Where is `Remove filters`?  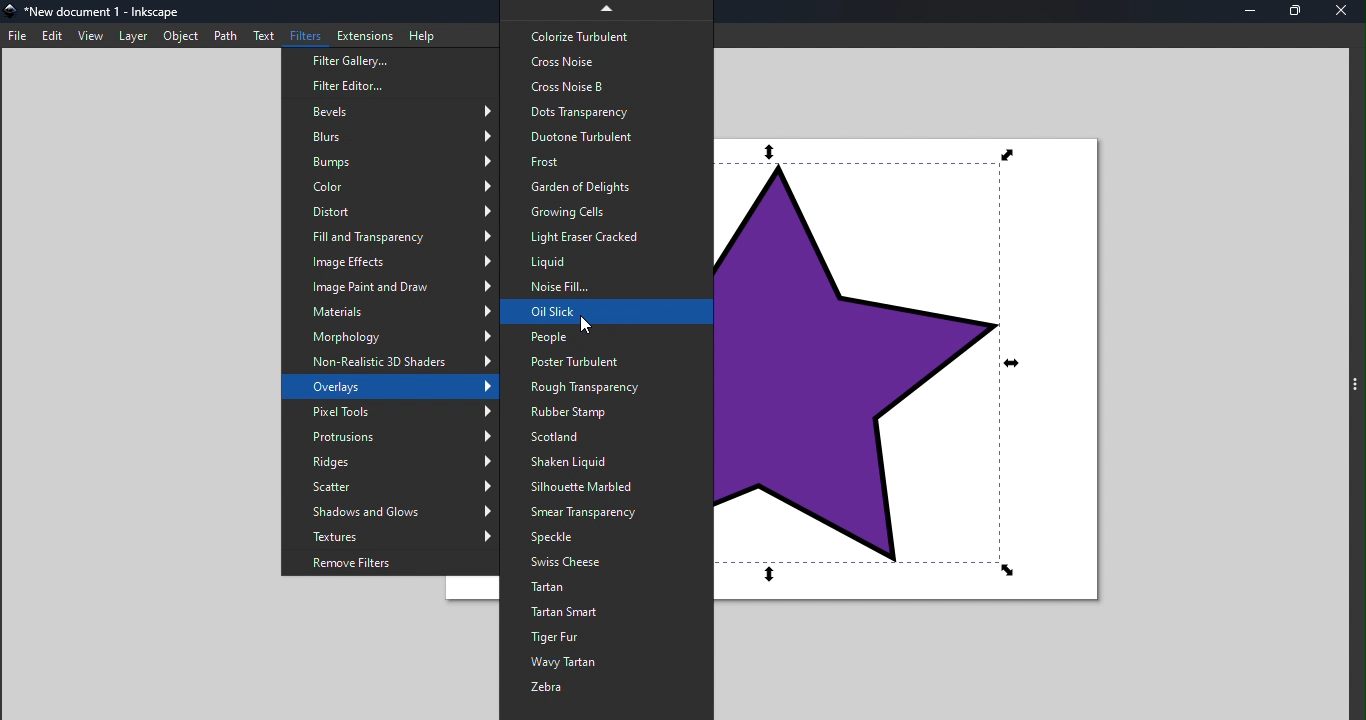
Remove filters is located at coordinates (392, 563).